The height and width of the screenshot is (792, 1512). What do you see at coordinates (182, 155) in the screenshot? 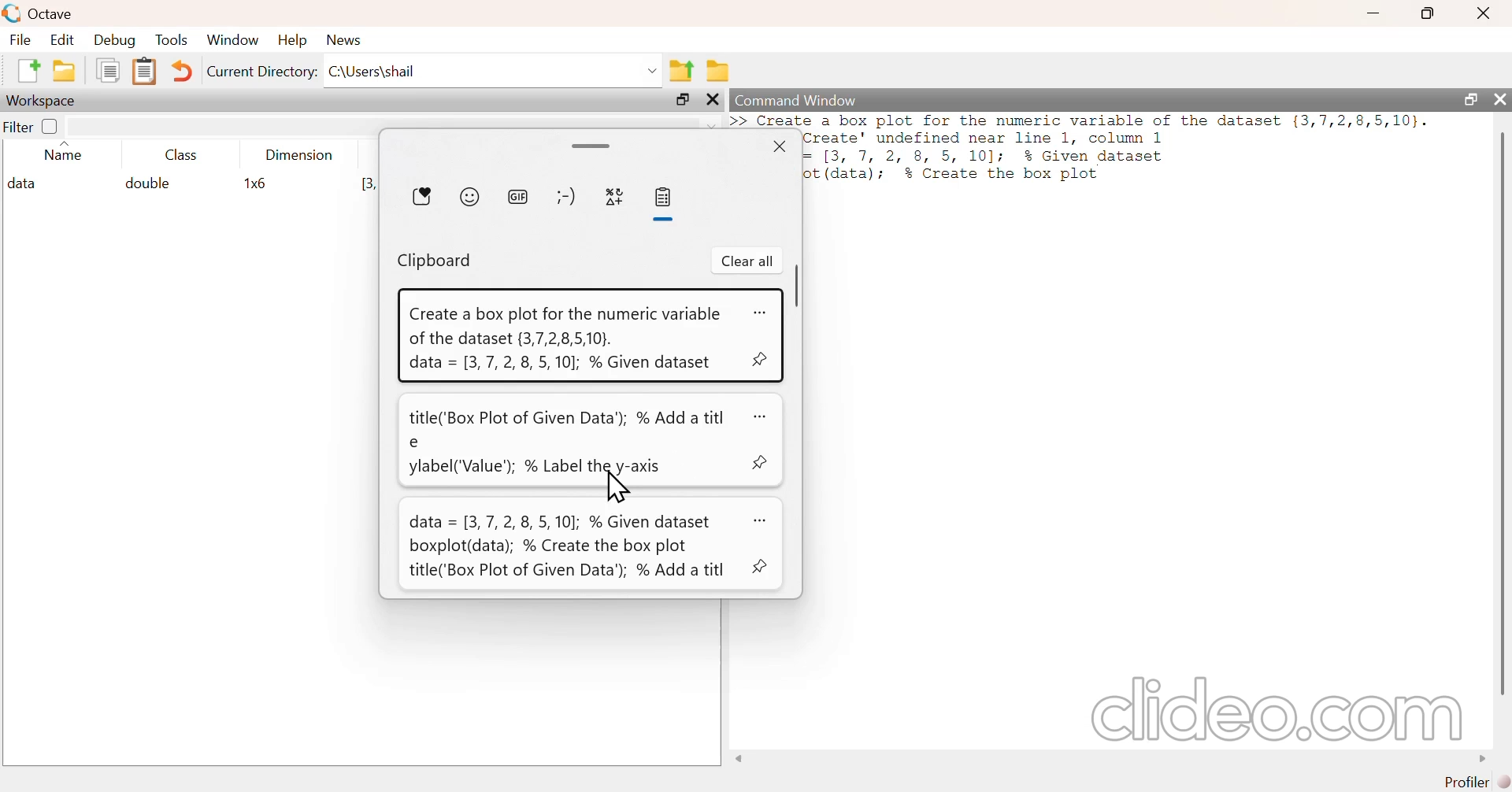
I see `class` at bounding box center [182, 155].